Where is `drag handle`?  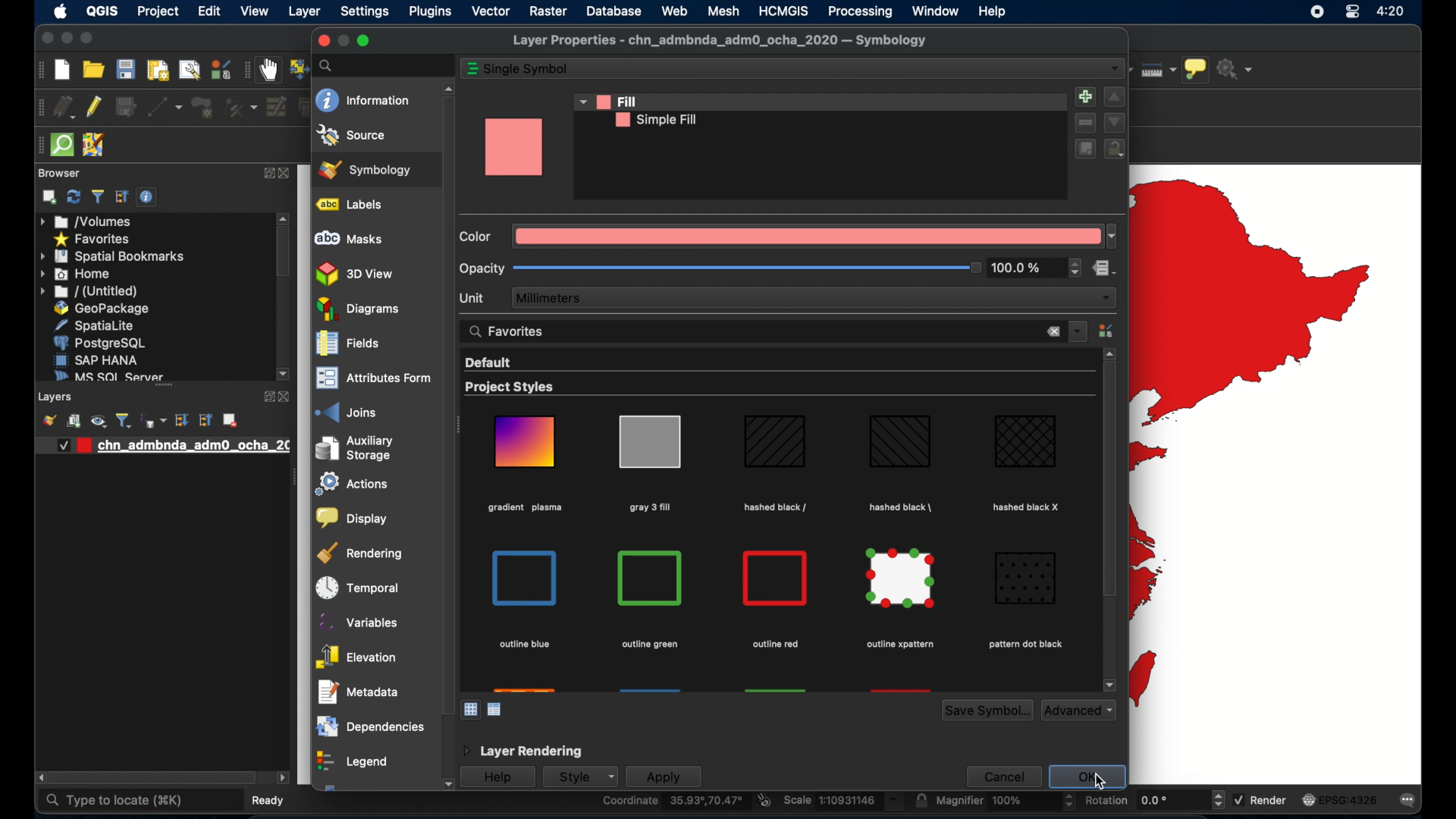 drag handle is located at coordinates (293, 479).